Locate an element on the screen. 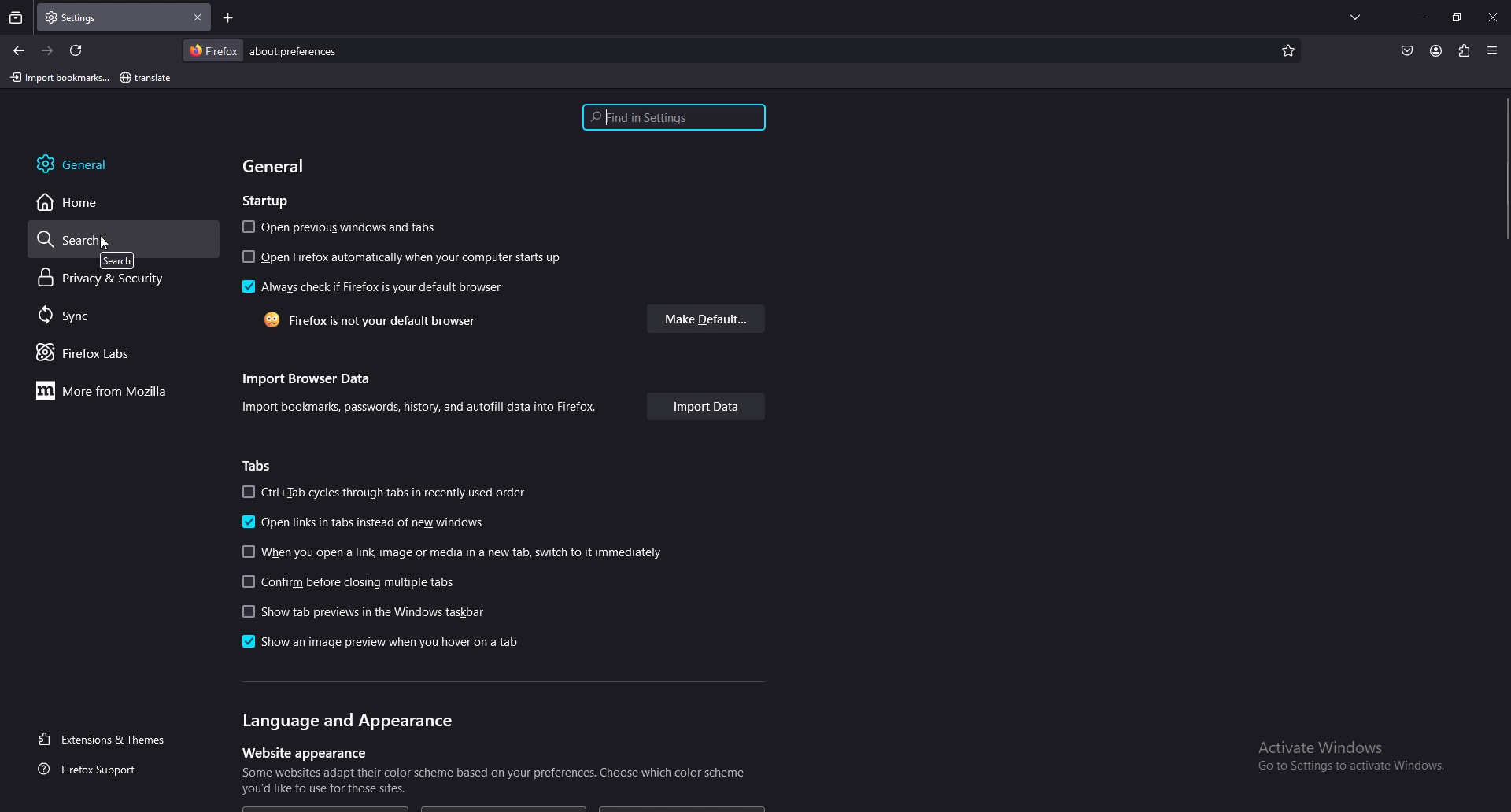  resize is located at coordinates (1457, 17).